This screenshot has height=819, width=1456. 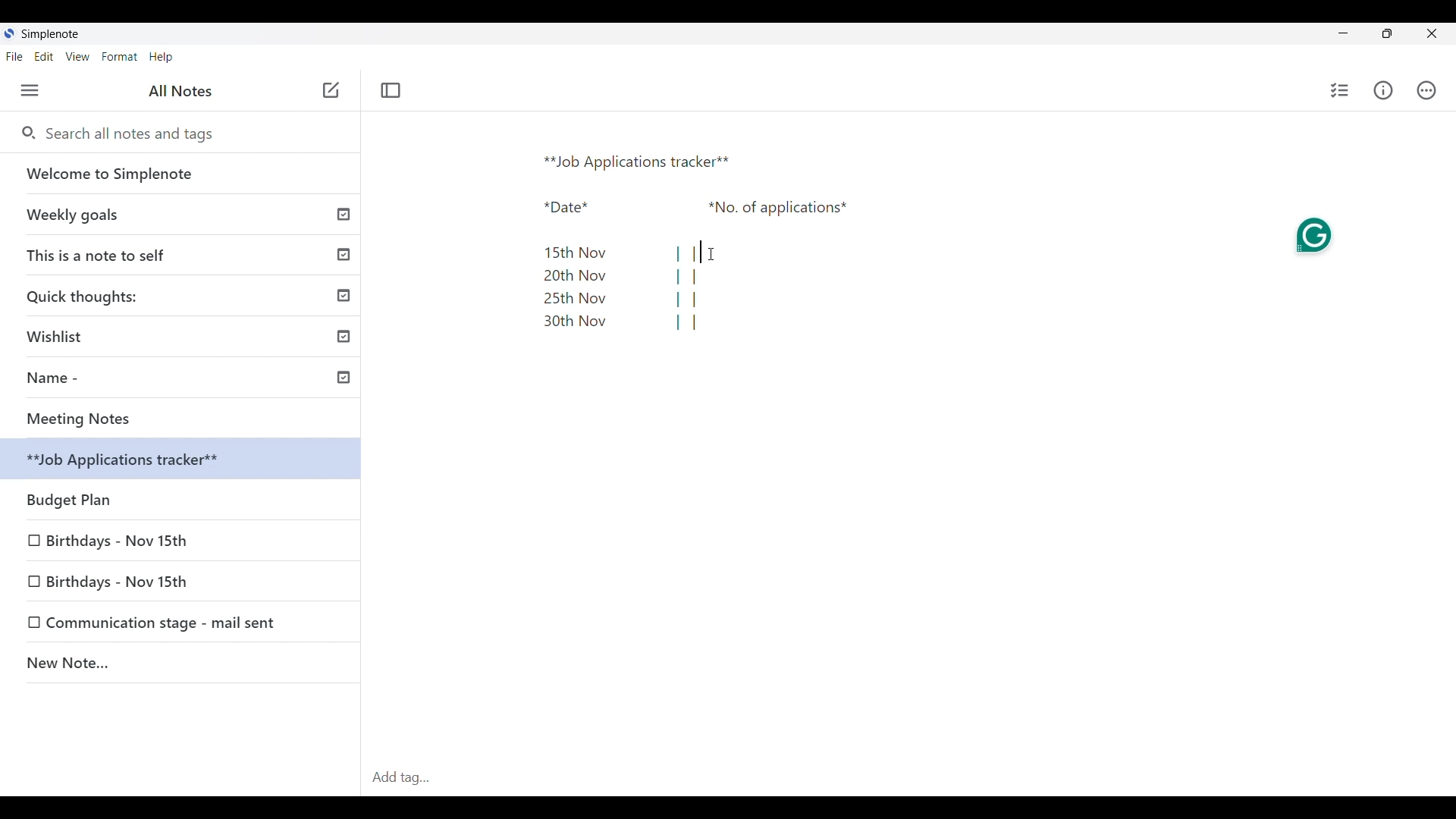 I want to click on Software logo, so click(x=8, y=33).